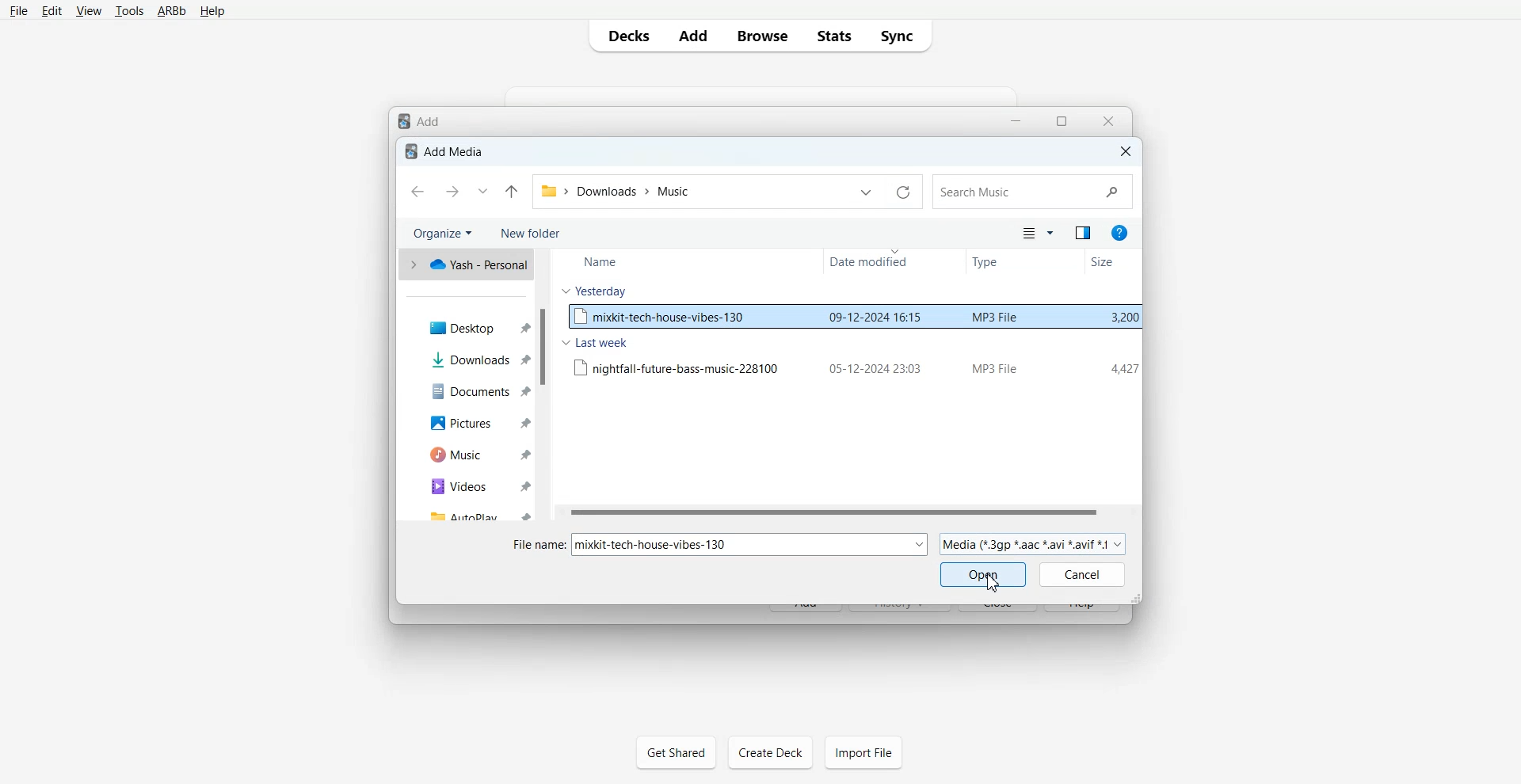  I want to click on New Folder, so click(534, 231).